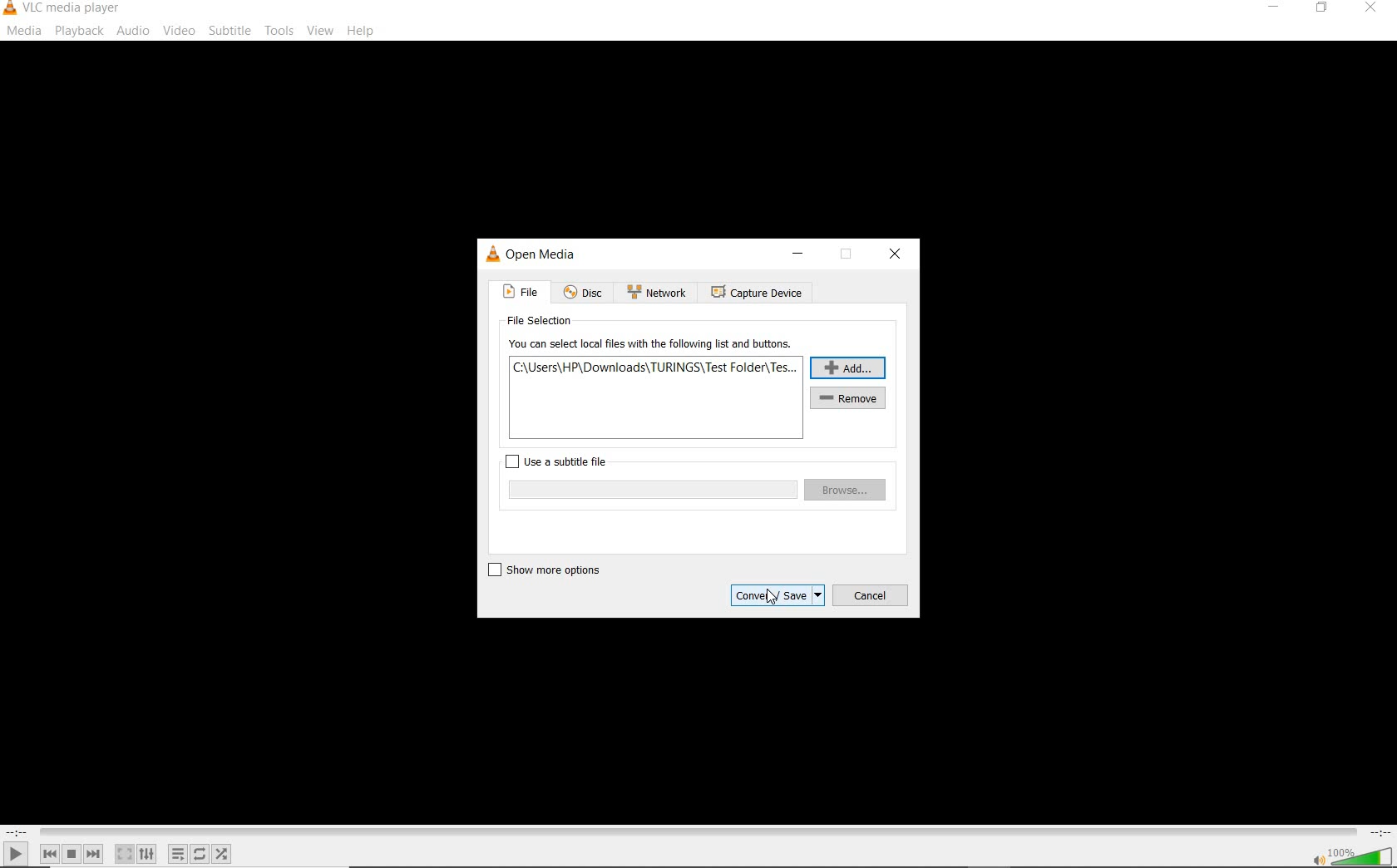 This screenshot has width=1397, height=868. What do you see at coordinates (584, 293) in the screenshot?
I see `disc` at bounding box center [584, 293].